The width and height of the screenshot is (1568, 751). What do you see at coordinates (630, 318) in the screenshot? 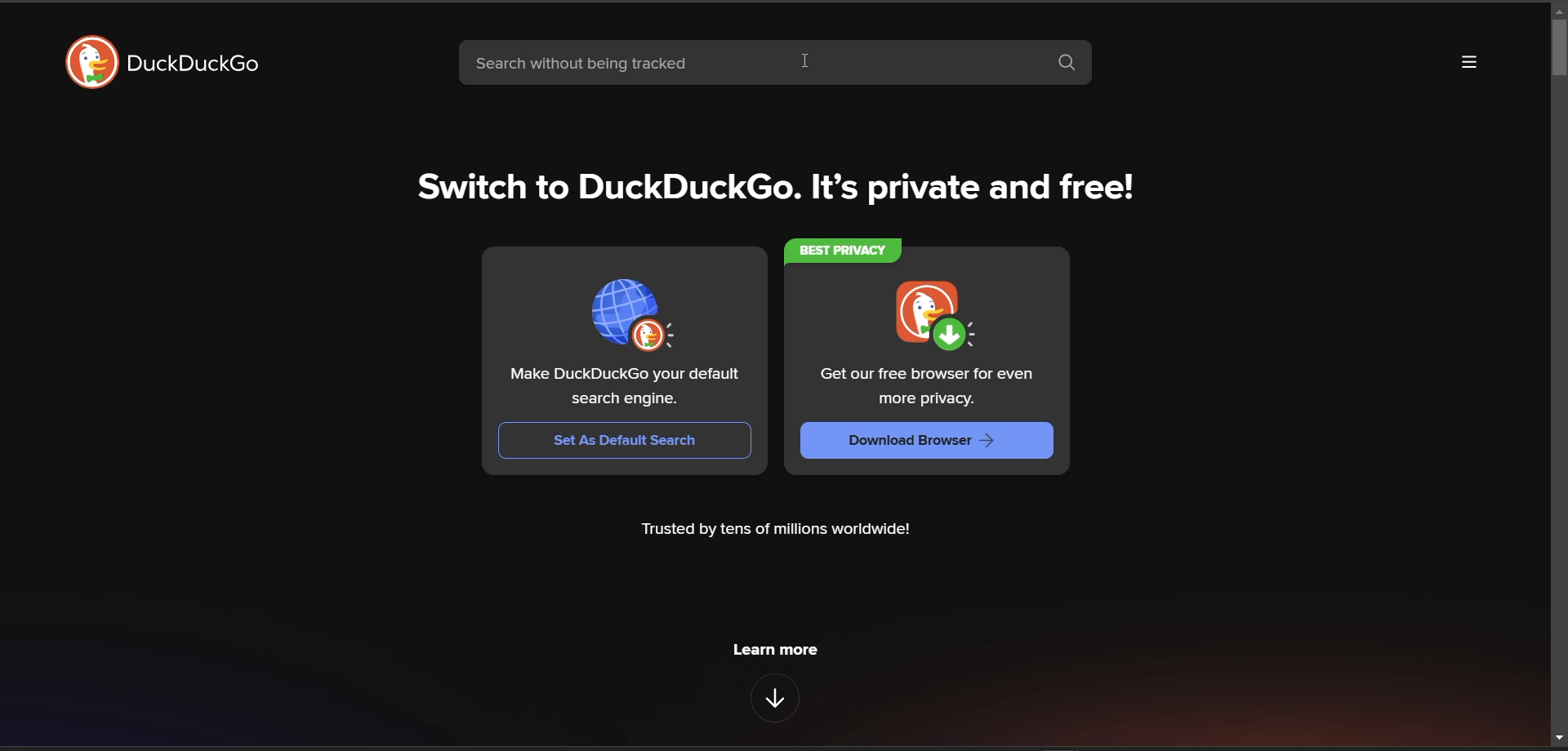
I see `icon` at bounding box center [630, 318].